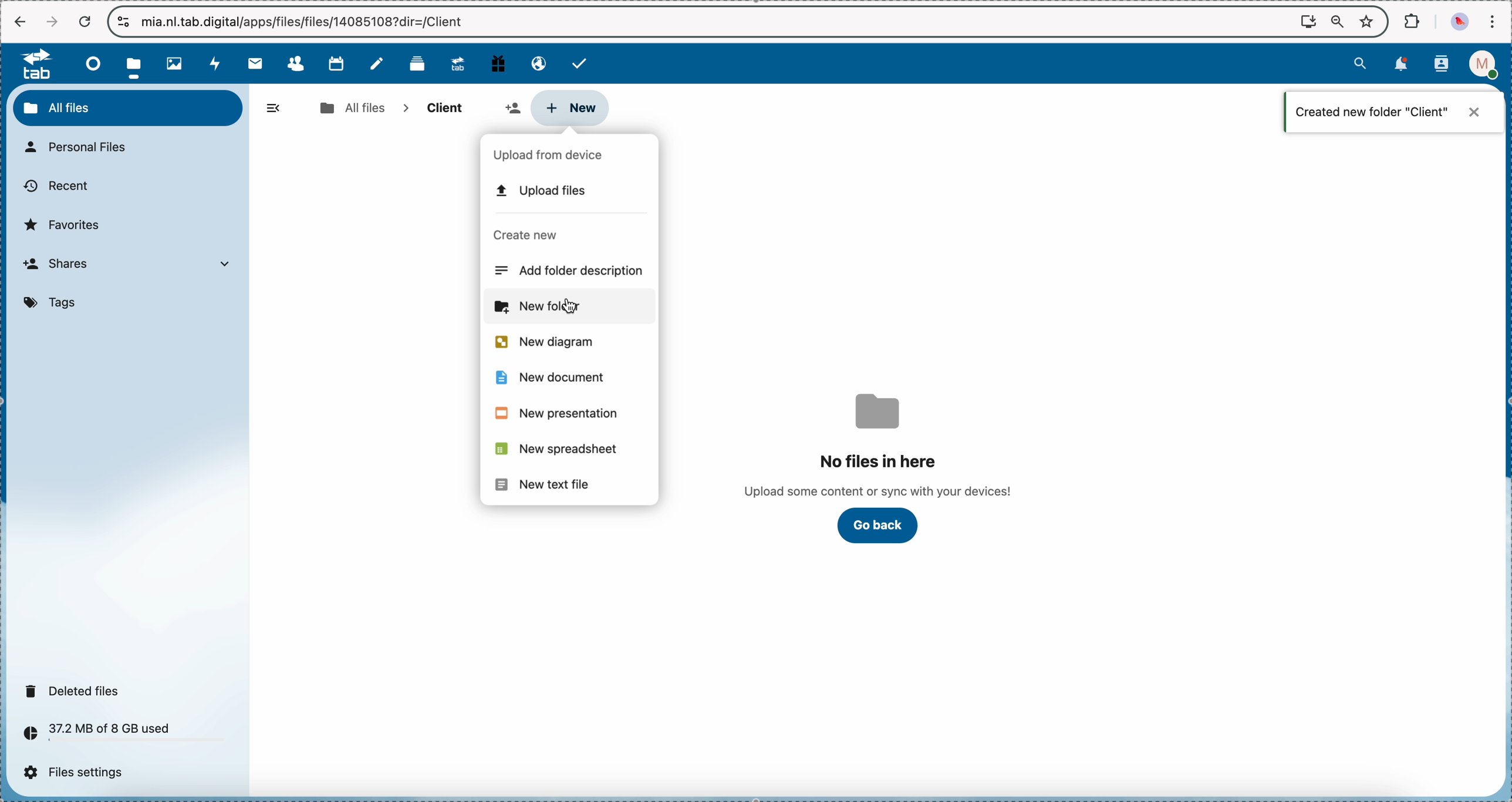 This screenshot has height=802, width=1512. I want to click on mail, so click(254, 63).